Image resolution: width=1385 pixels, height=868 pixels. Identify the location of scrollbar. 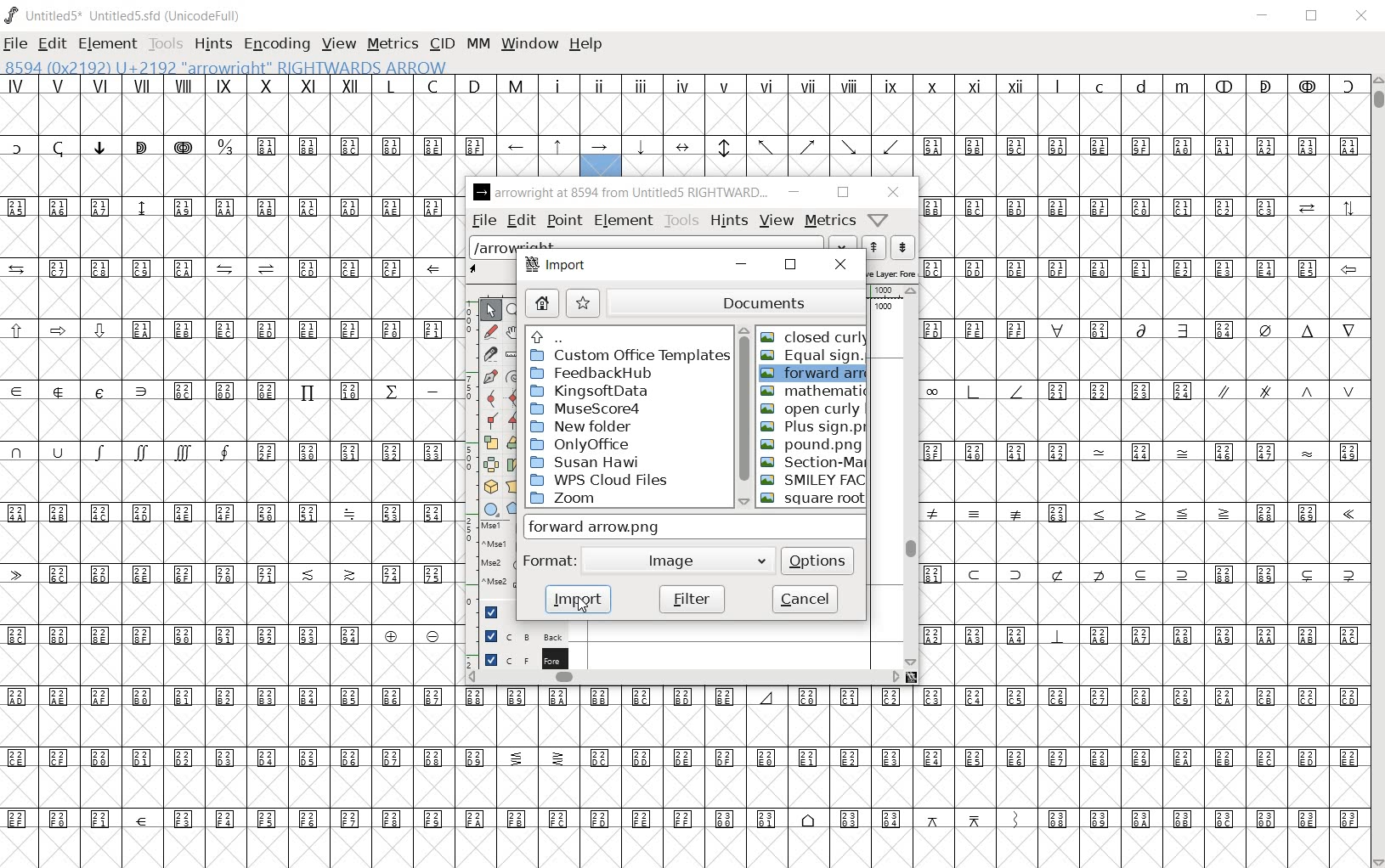
(741, 417).